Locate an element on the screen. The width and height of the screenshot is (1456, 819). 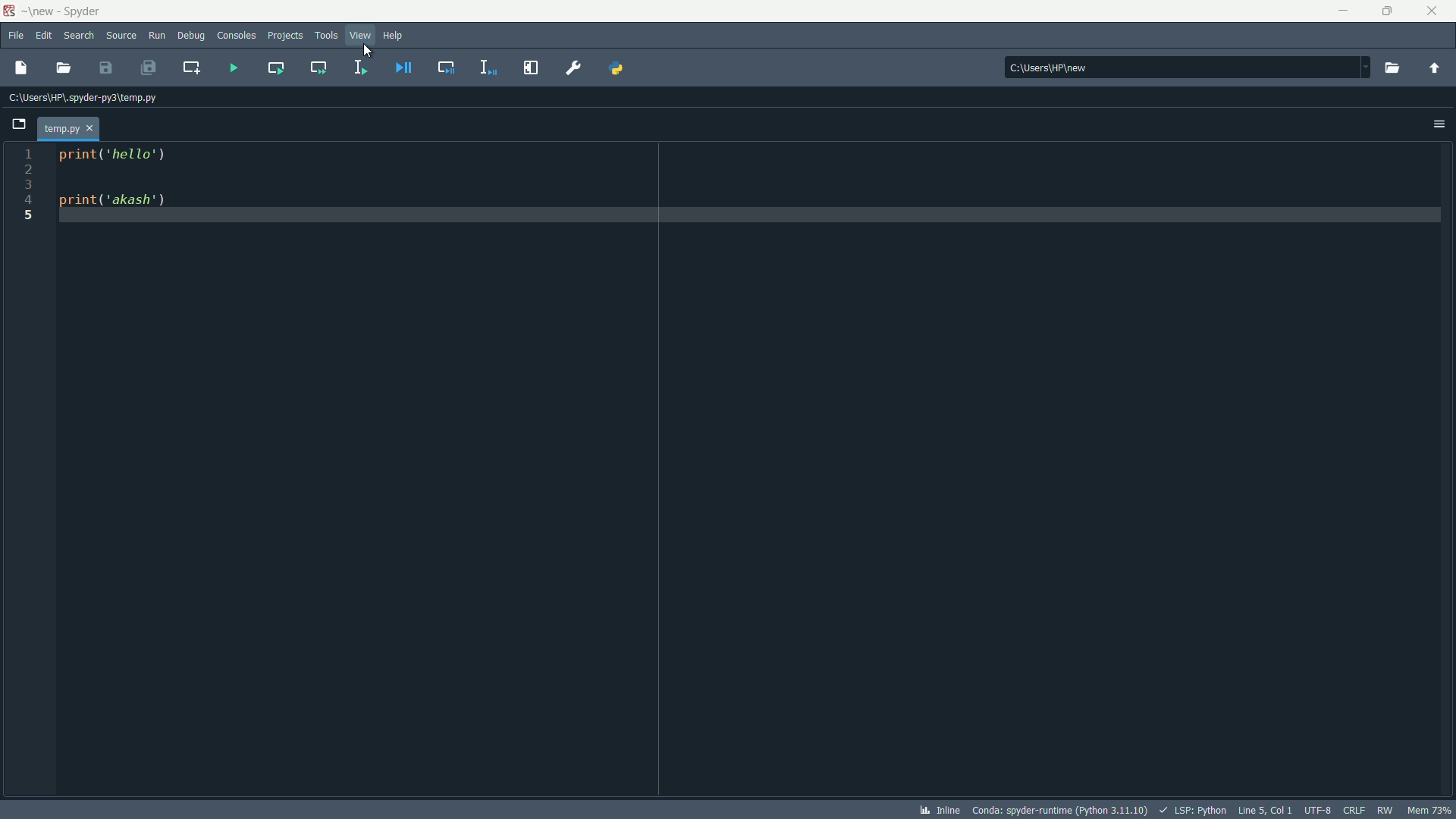
python interpreter is located at coordinates (1059, 810).